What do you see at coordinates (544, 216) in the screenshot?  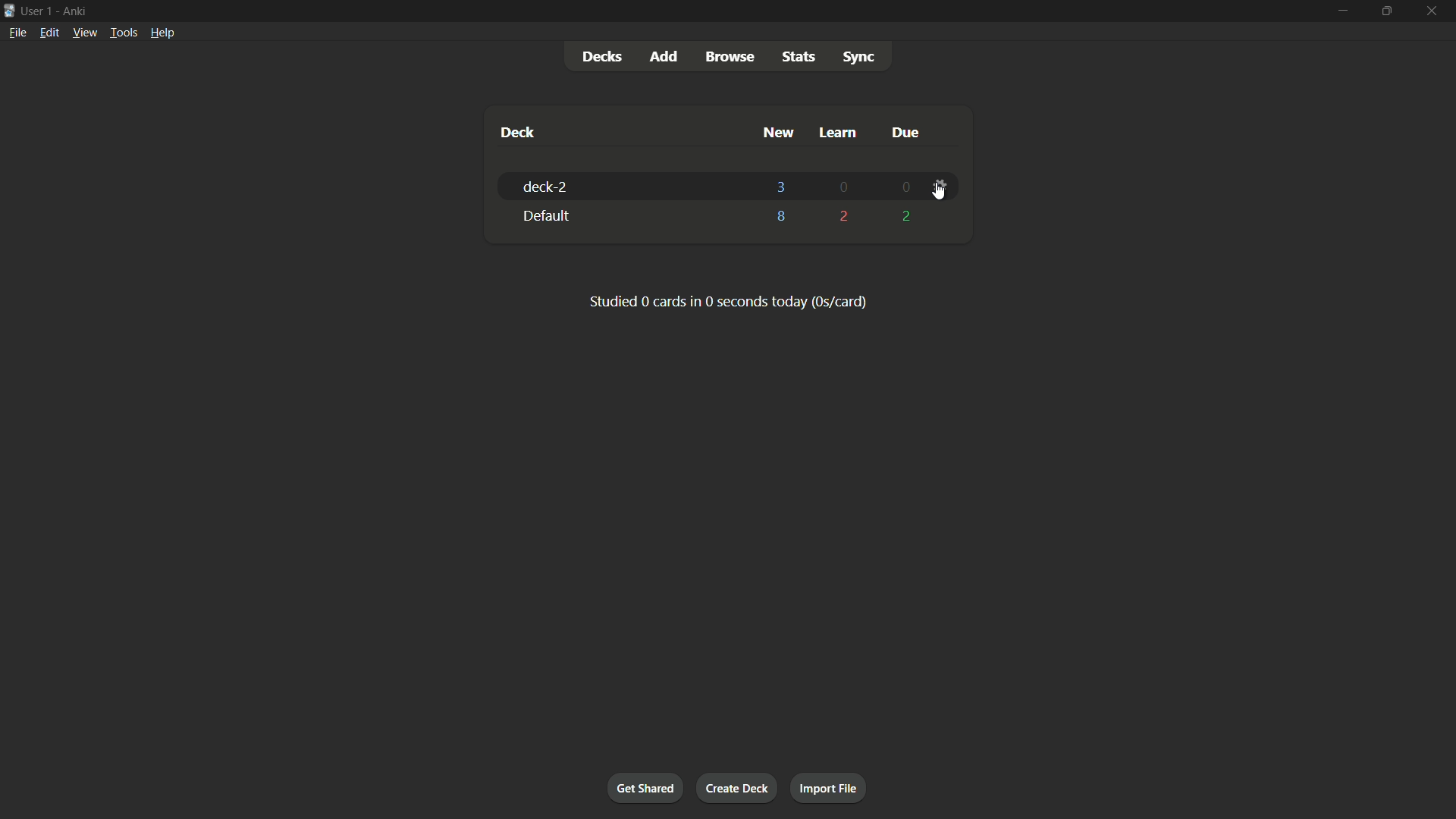 I see `default` at bounding box center [544, 216].